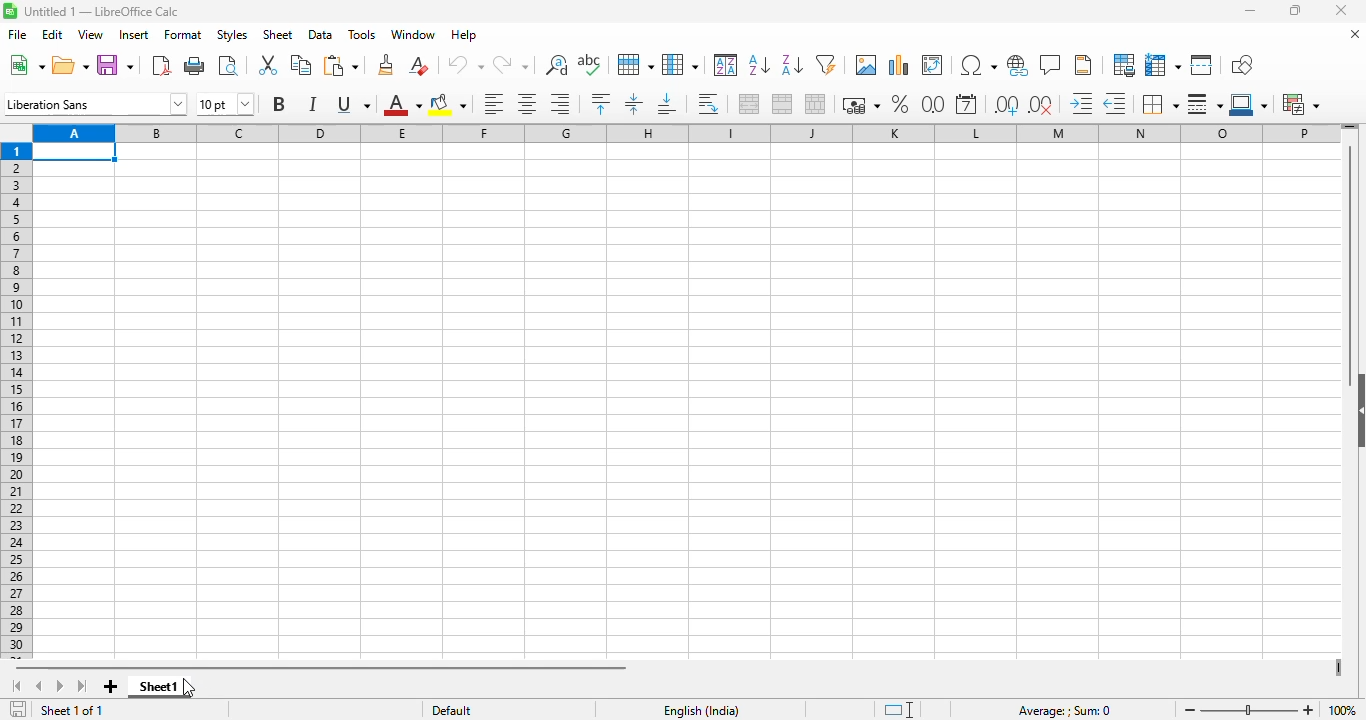 This screenshot has width=1366, height=720. What do you see at coordinates (1018, 66) in the screenshot?
I see `insert hyperlink` at bounding box center [1018, 66].